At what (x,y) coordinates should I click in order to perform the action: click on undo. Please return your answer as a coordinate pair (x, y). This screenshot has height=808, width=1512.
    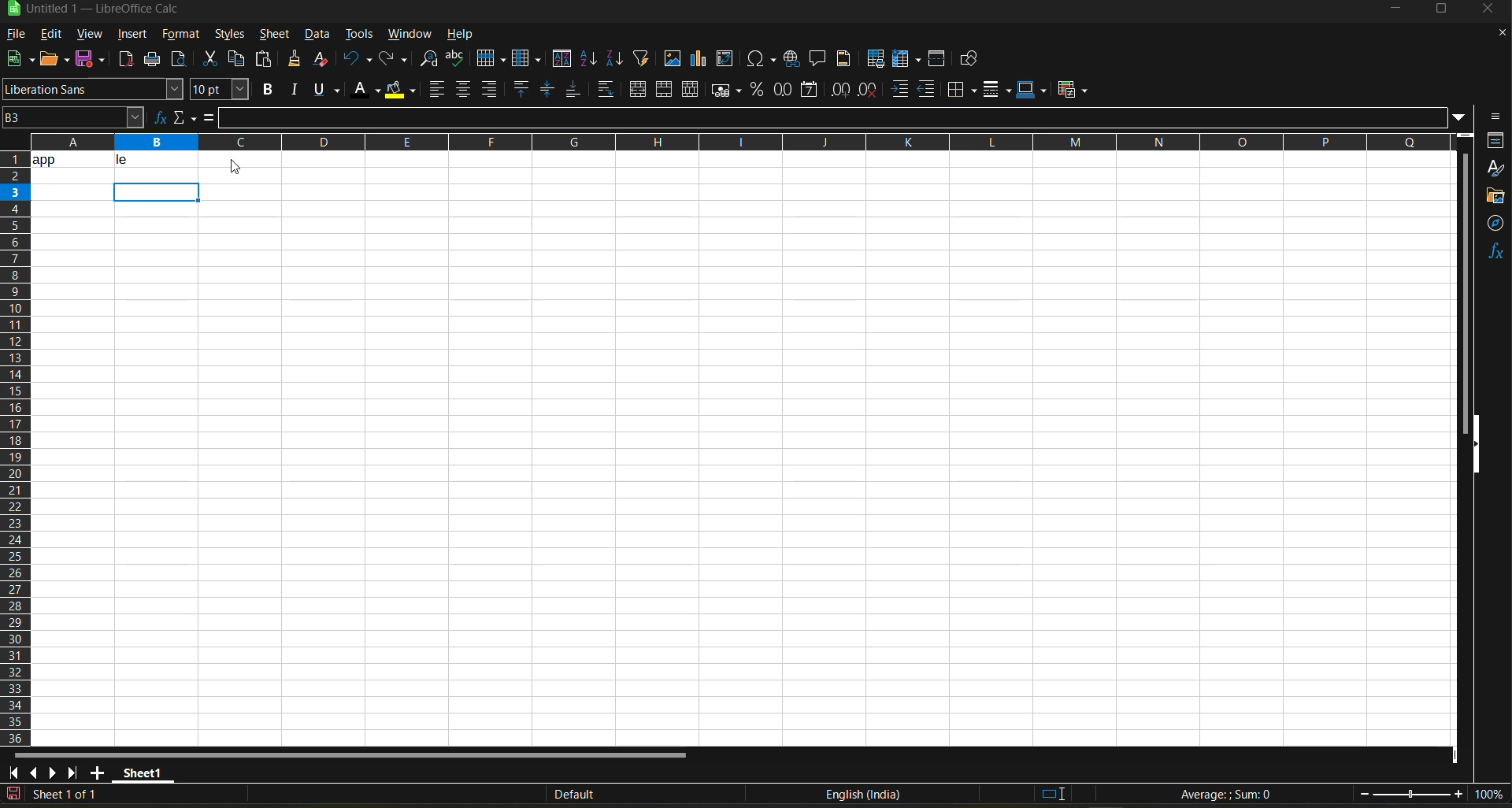
    Looking at the image, I should click on (354, 59).